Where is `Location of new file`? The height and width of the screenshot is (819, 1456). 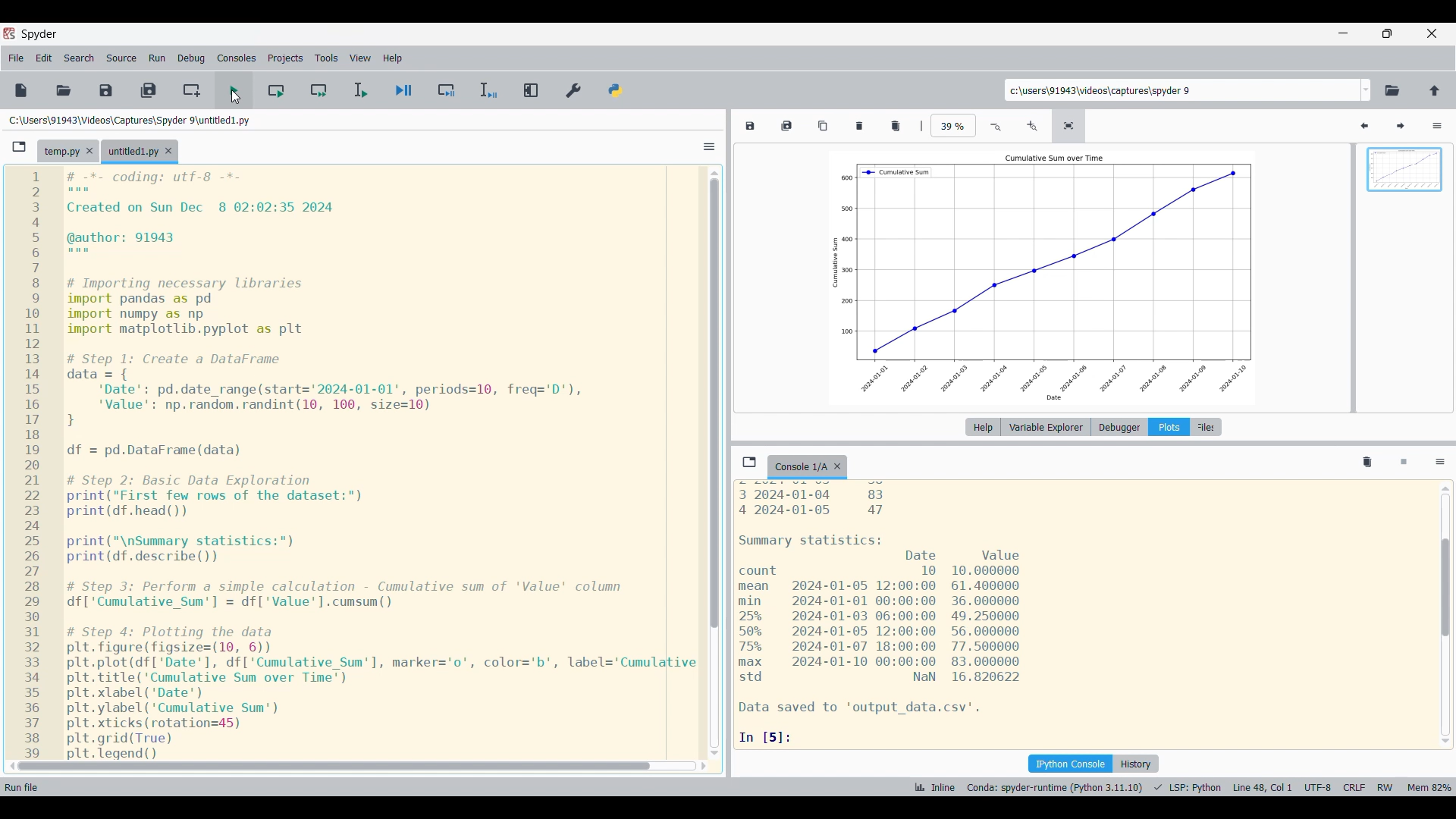
Location of new file is located at coordinates (132, 120).